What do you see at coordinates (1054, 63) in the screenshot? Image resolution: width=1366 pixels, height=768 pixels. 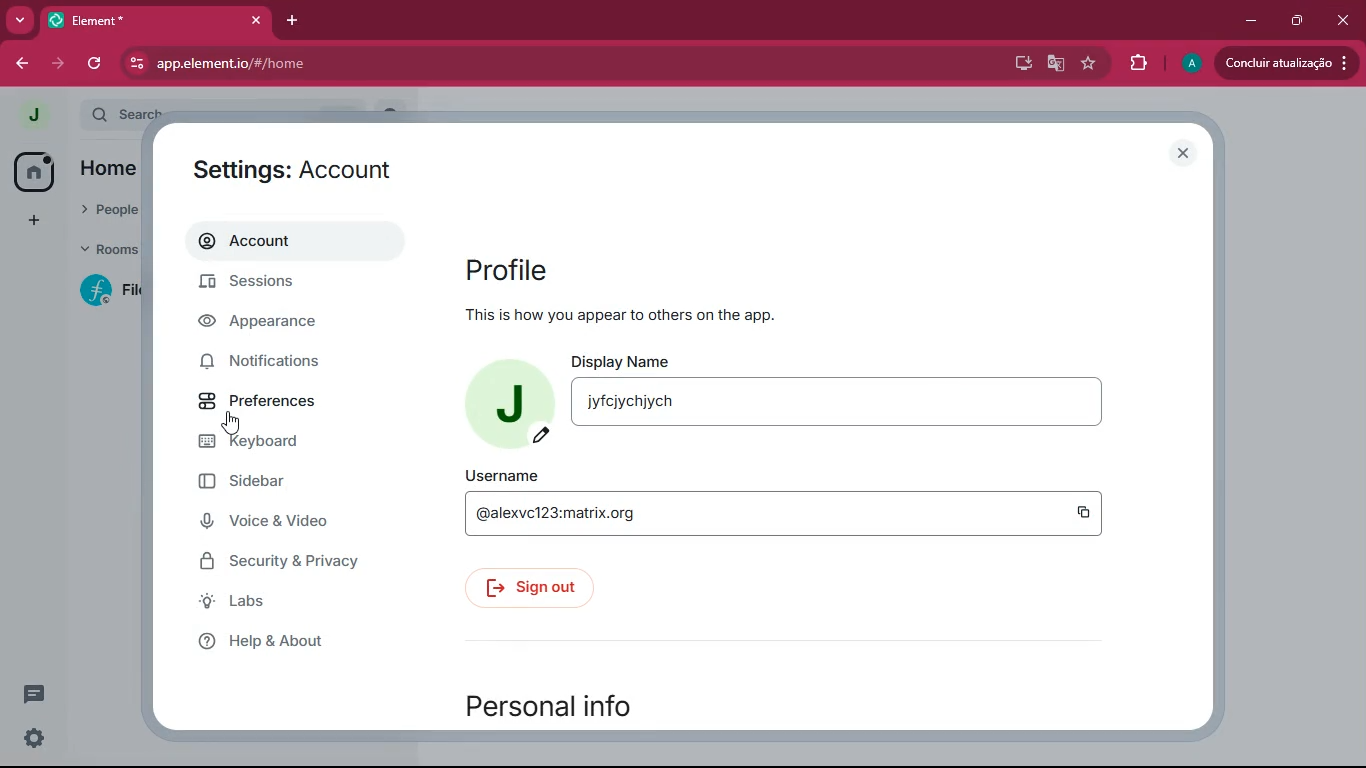 I see `google translate` at bounding box center [1054, 63].